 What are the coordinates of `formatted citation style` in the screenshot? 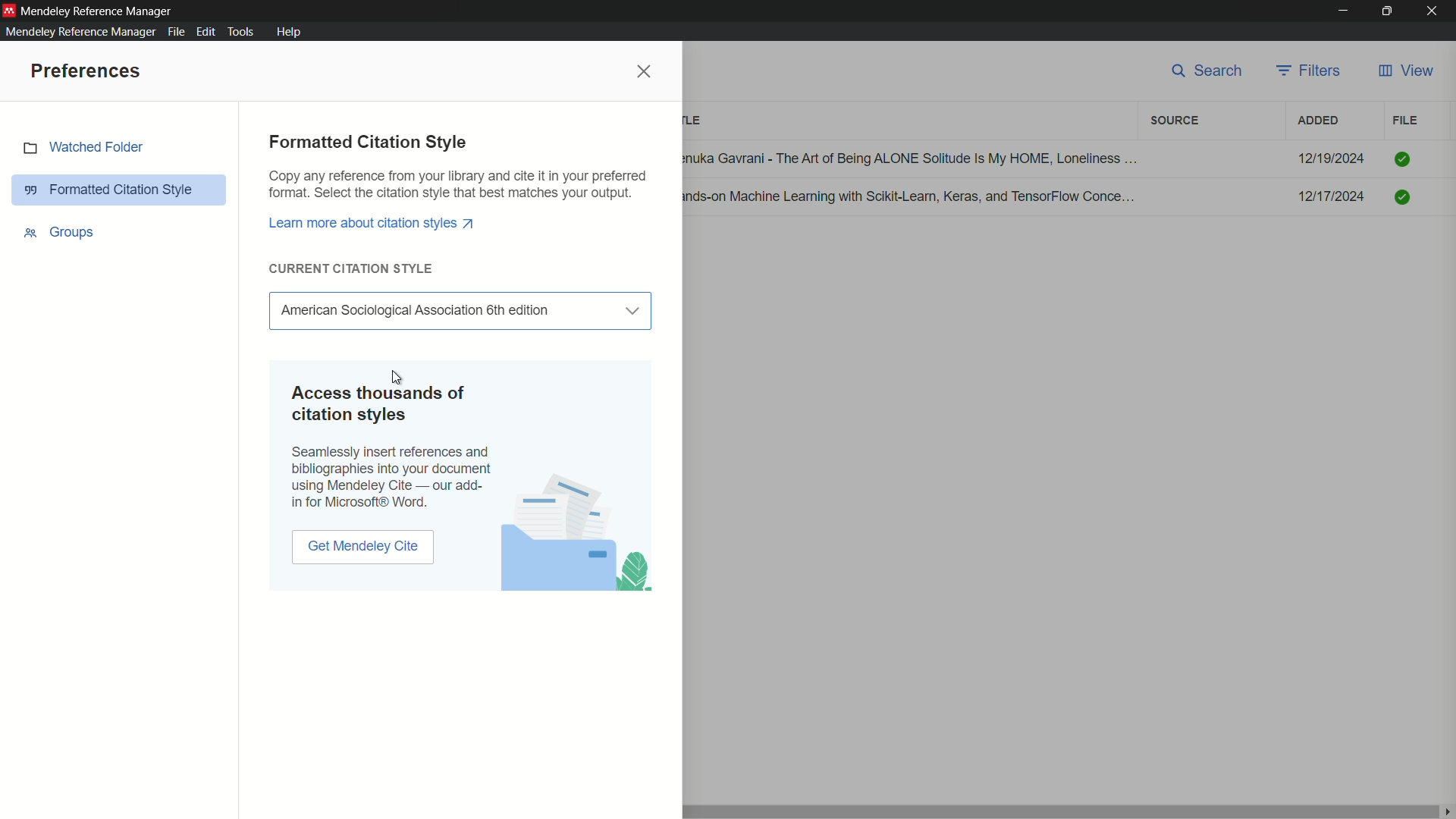 It's located at (368, 143).